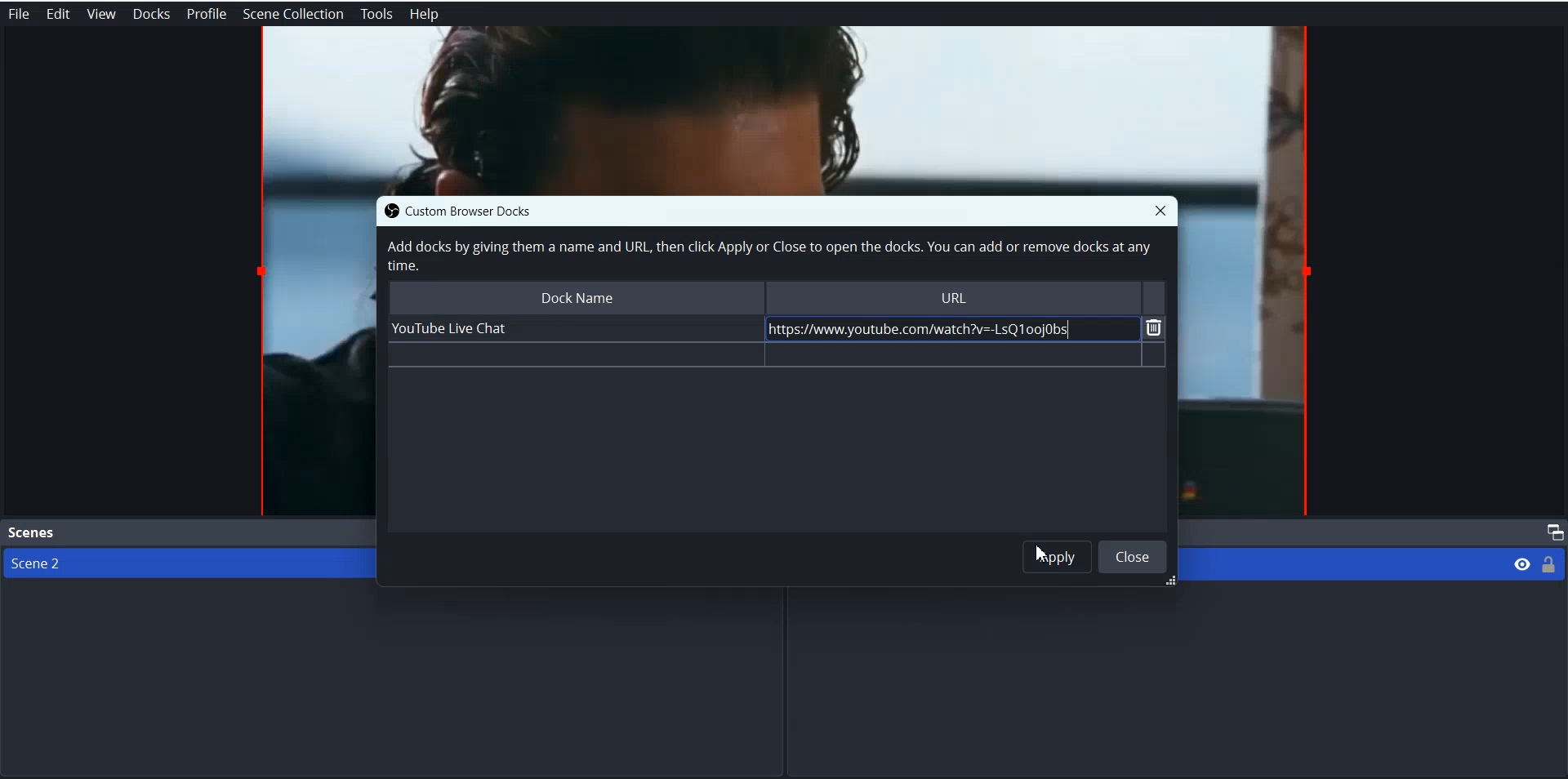  I want to click on Help, so click(425, 15).